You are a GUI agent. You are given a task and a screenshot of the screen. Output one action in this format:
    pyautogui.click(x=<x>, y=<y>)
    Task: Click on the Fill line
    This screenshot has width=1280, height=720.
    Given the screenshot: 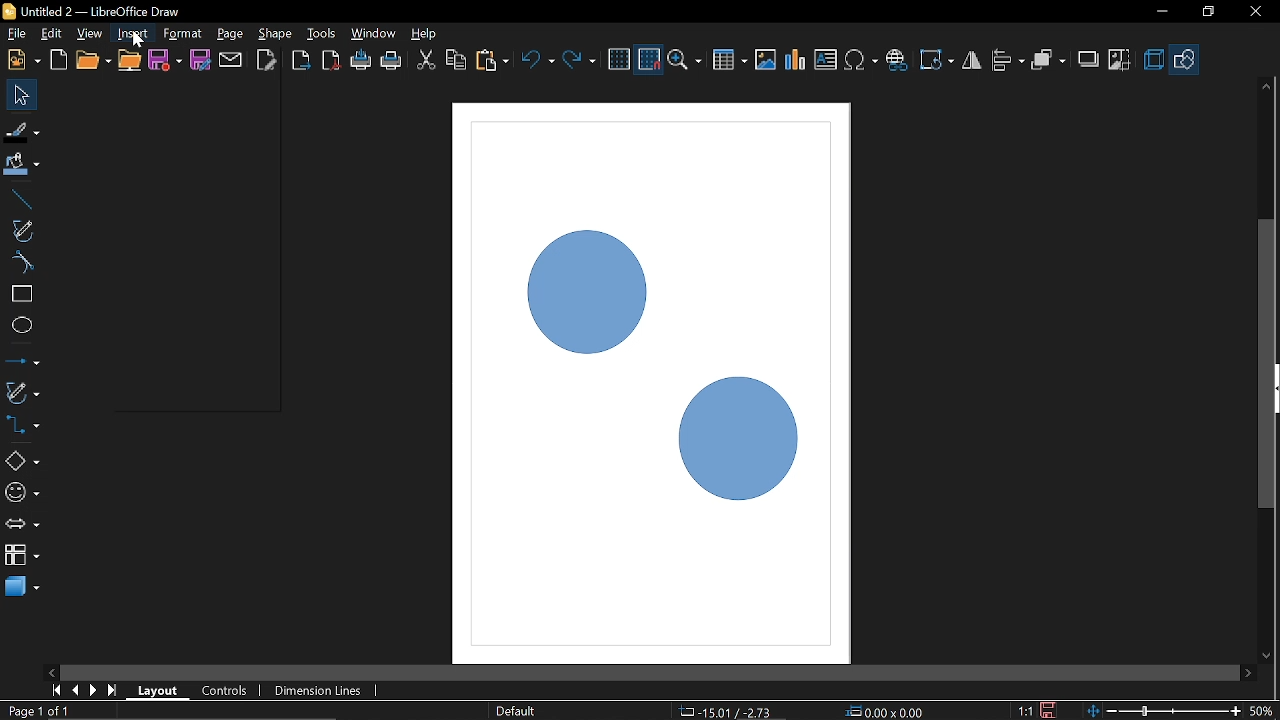 What is the action you would take?
    pyautogui.click(x=22, y=132)
    